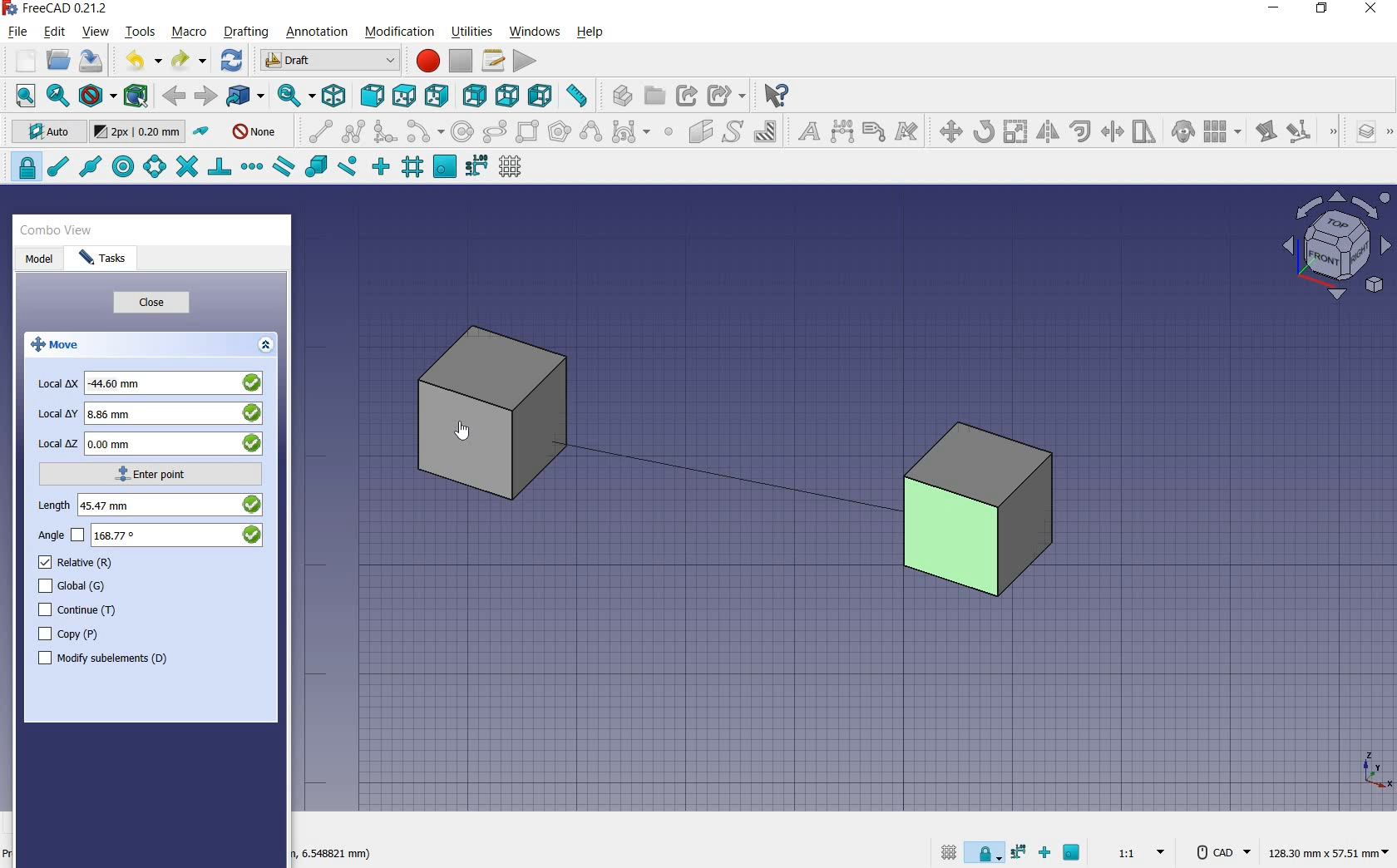 The height and width of the screenshot is (868, 1397). I want to click on windows, so click(534, 32).